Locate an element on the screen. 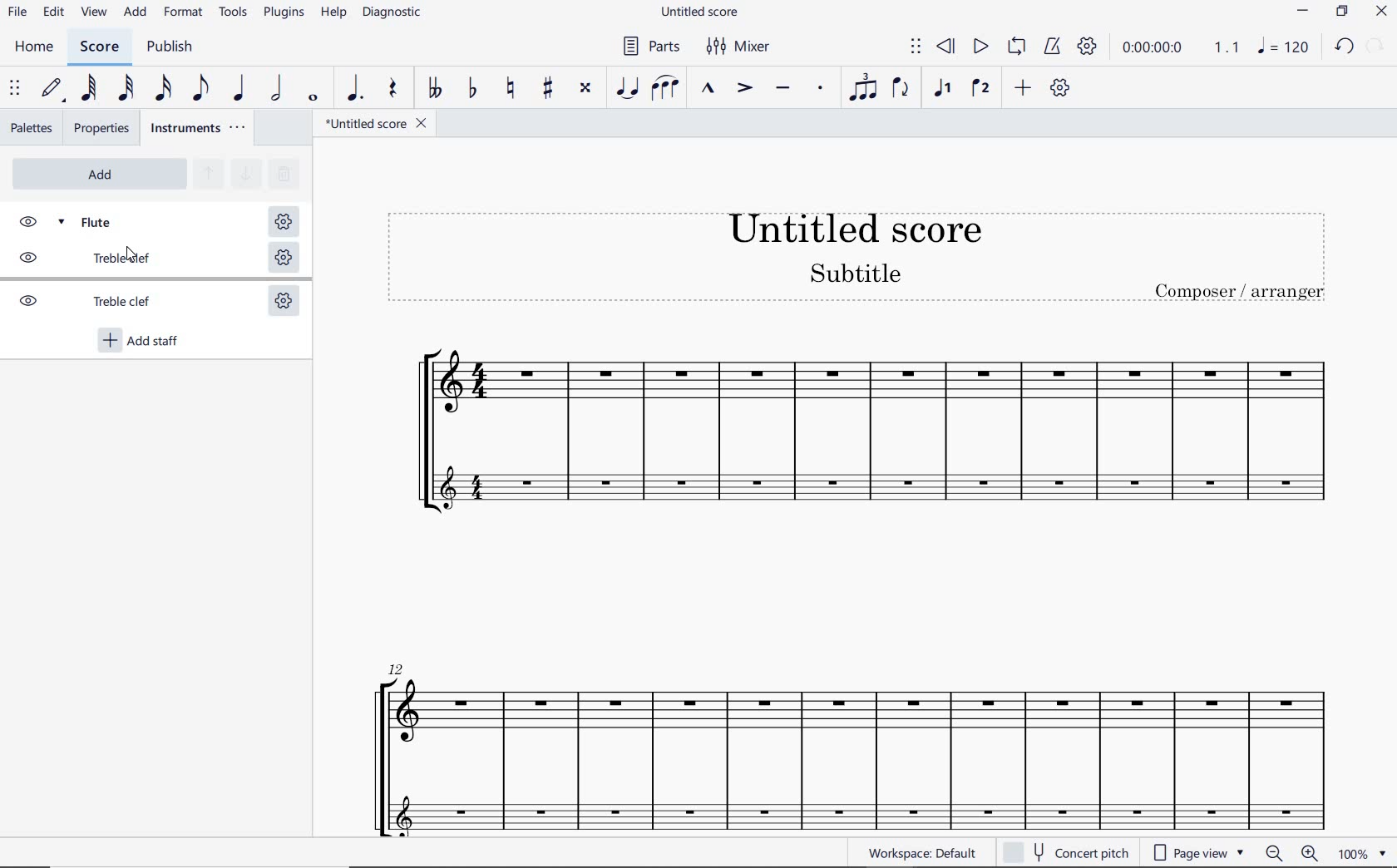 The image size is (1397, 868). FORMAT is located at coordinates (184, 12).